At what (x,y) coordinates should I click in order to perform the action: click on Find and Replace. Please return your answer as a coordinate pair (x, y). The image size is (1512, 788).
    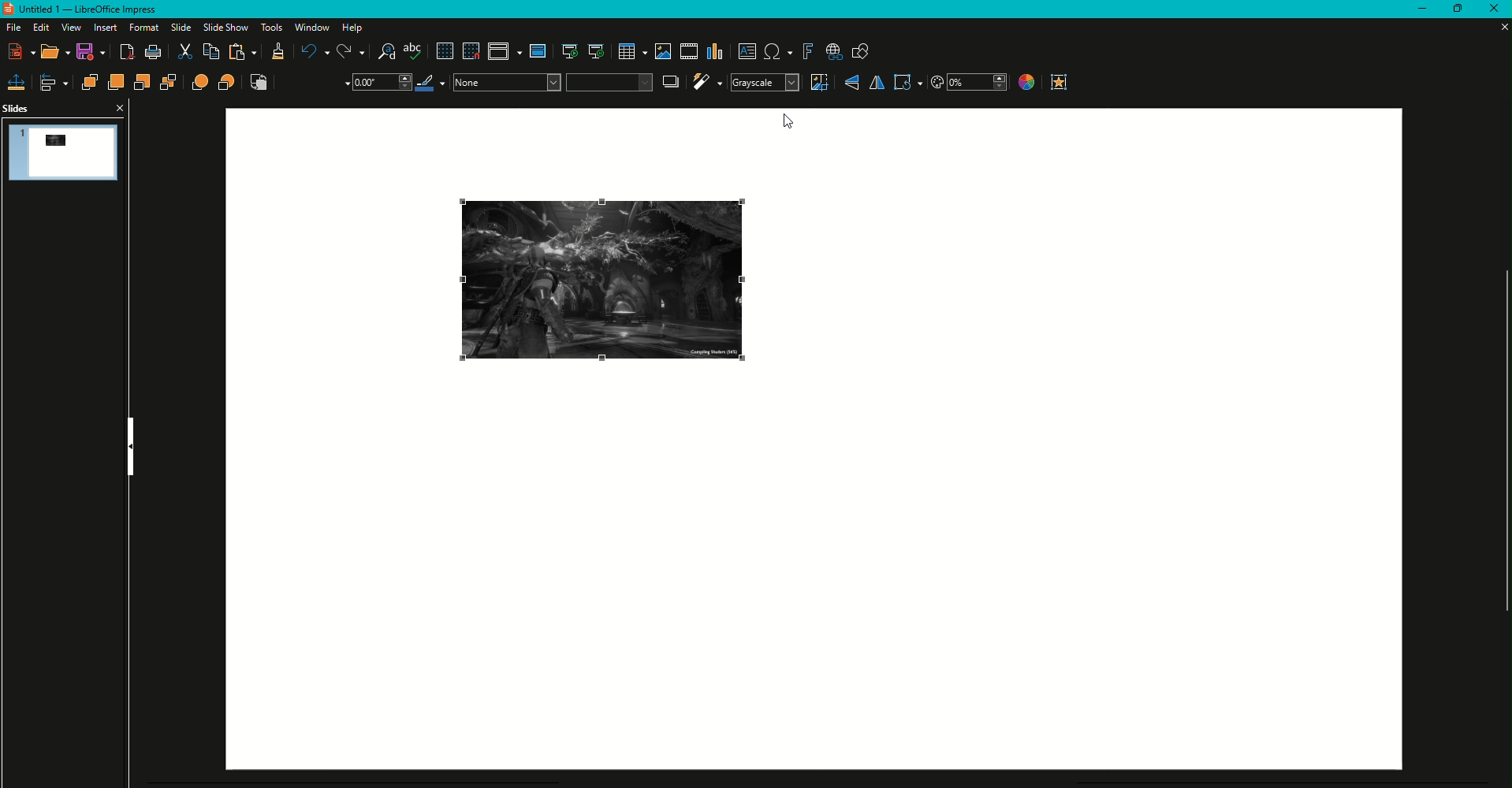
    Looking at the image, I should click on (386, 52).